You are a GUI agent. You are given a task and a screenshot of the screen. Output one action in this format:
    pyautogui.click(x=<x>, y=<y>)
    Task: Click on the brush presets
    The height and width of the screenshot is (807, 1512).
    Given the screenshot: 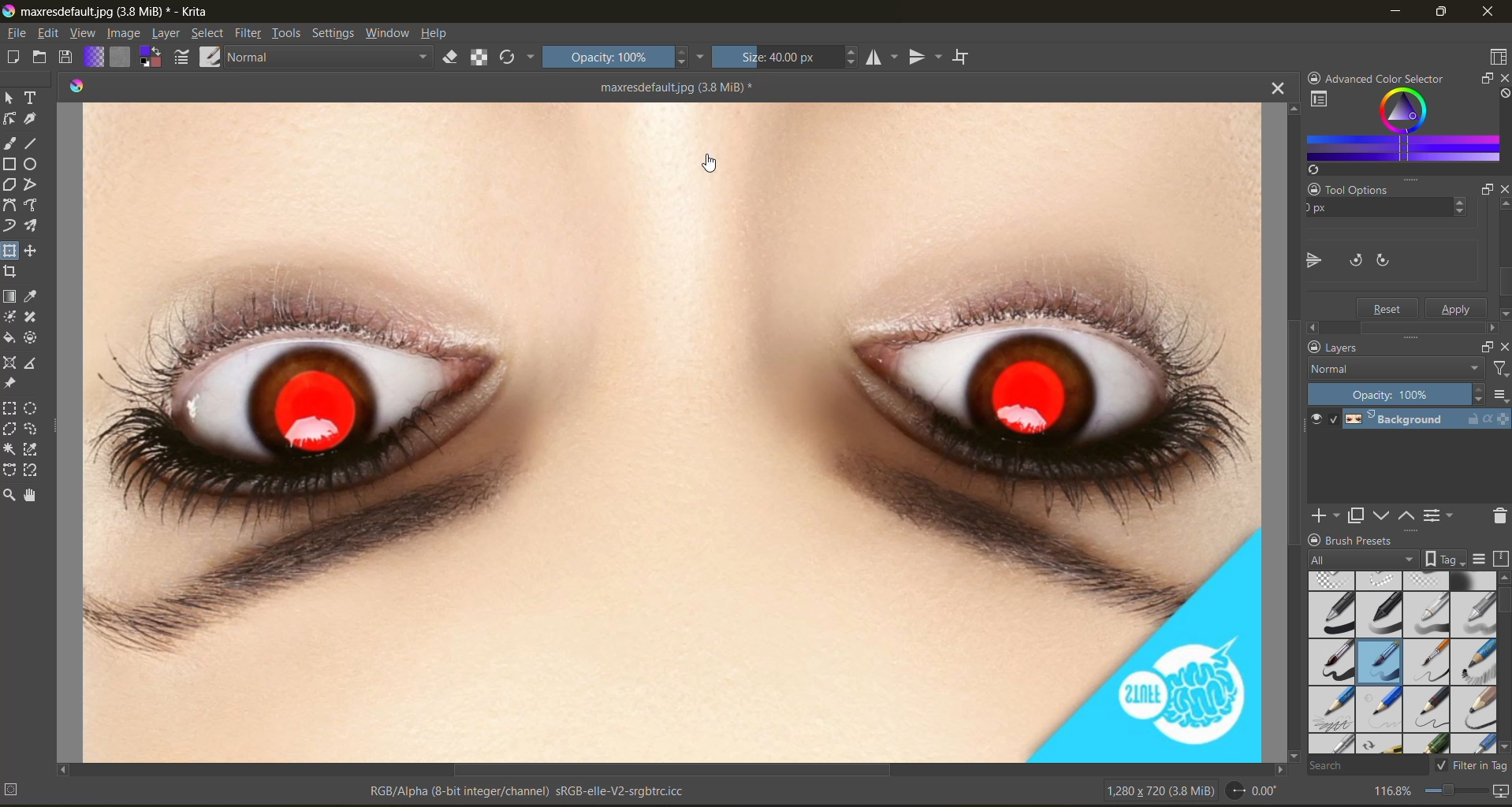 What is the action you would take?
    pyautogui.click(x=1402, y=663)
    